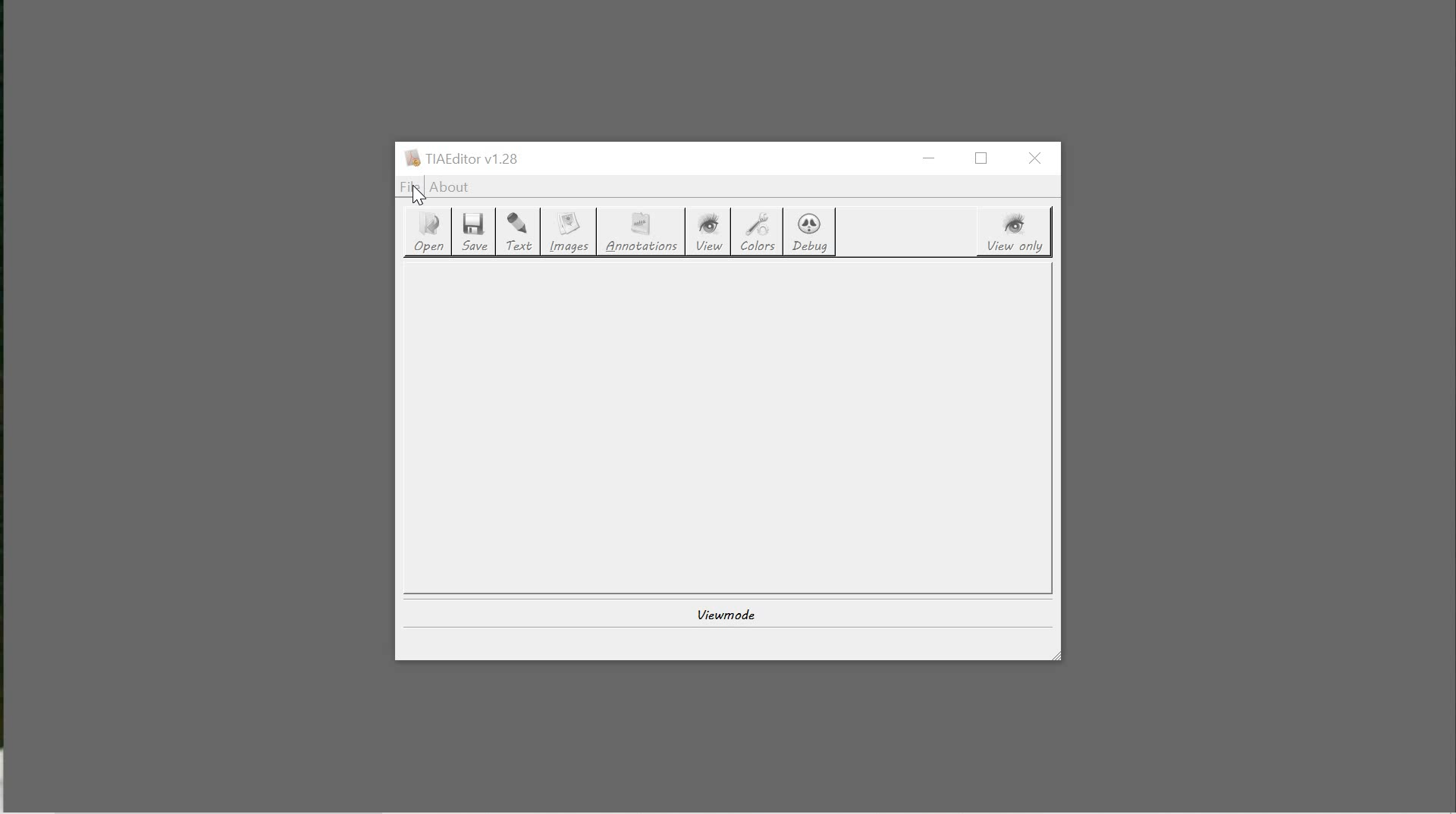 The image size is (1456, 814). What do you see at coordinates (645, 233) in the screenshot?
I see `annotations` at bounding box center [645, 233].